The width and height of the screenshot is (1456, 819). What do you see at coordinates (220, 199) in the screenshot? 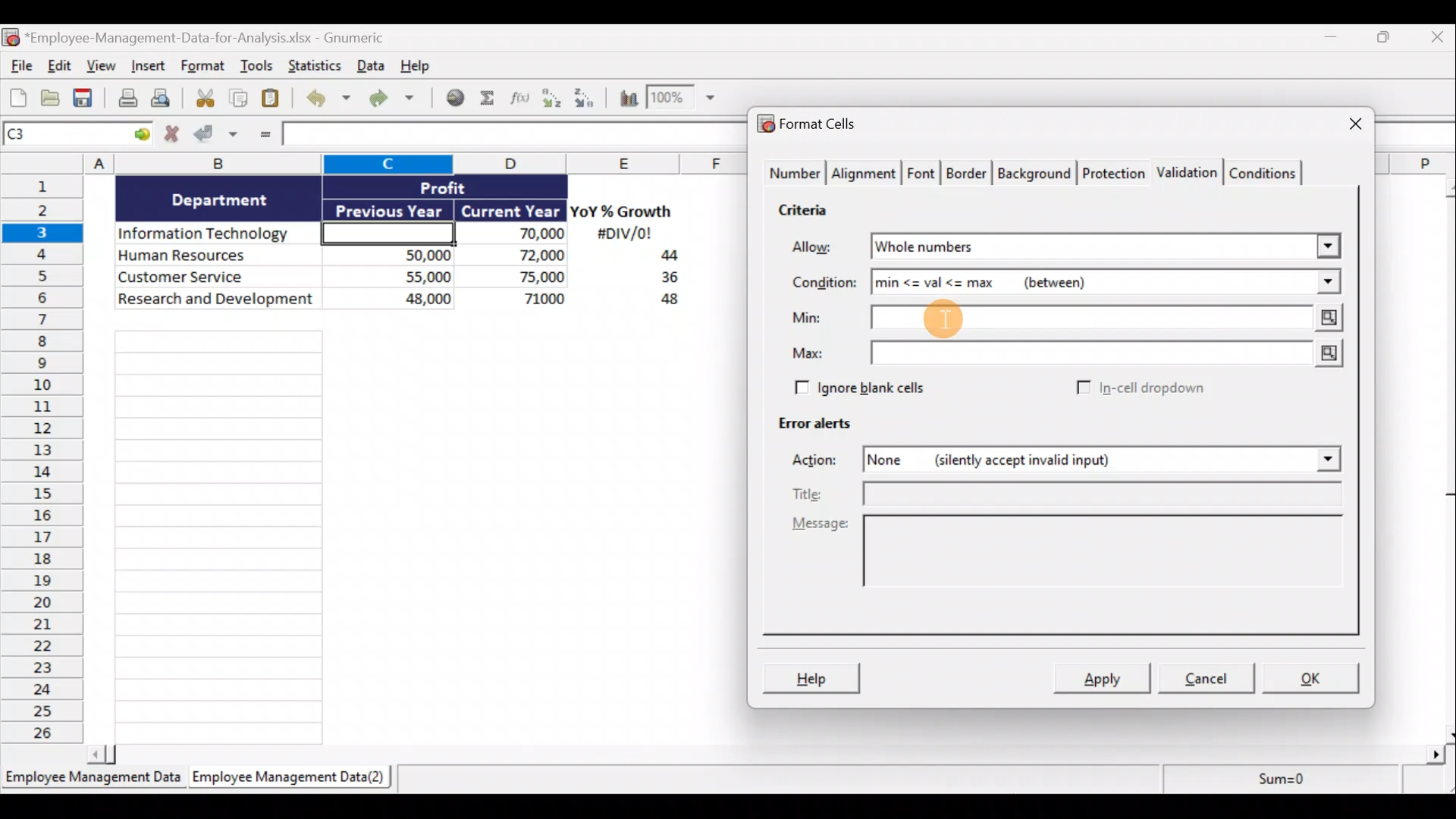
I see `Department` at bounding box center [220, 199].